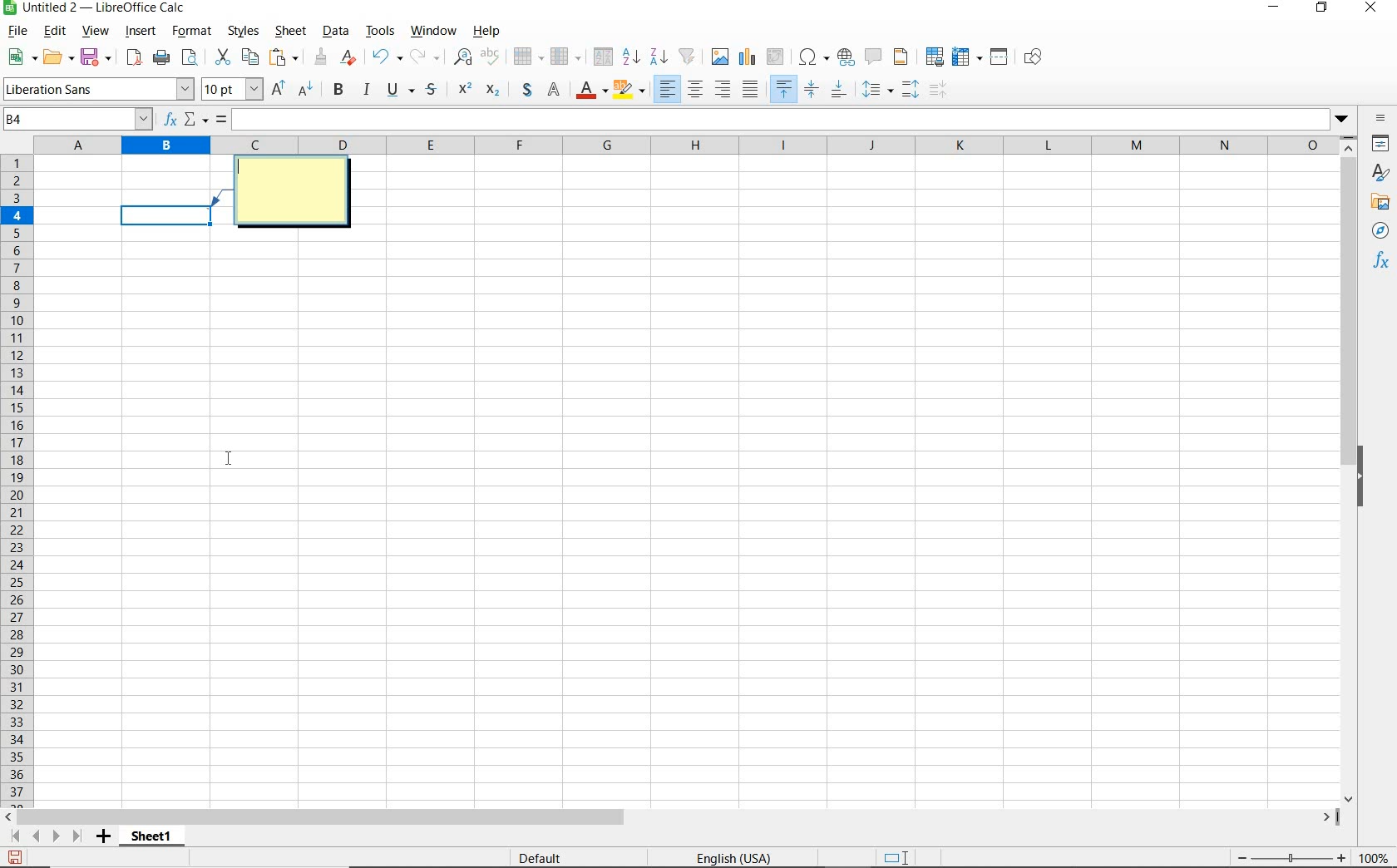  I want to click on column, so click(565, 60).